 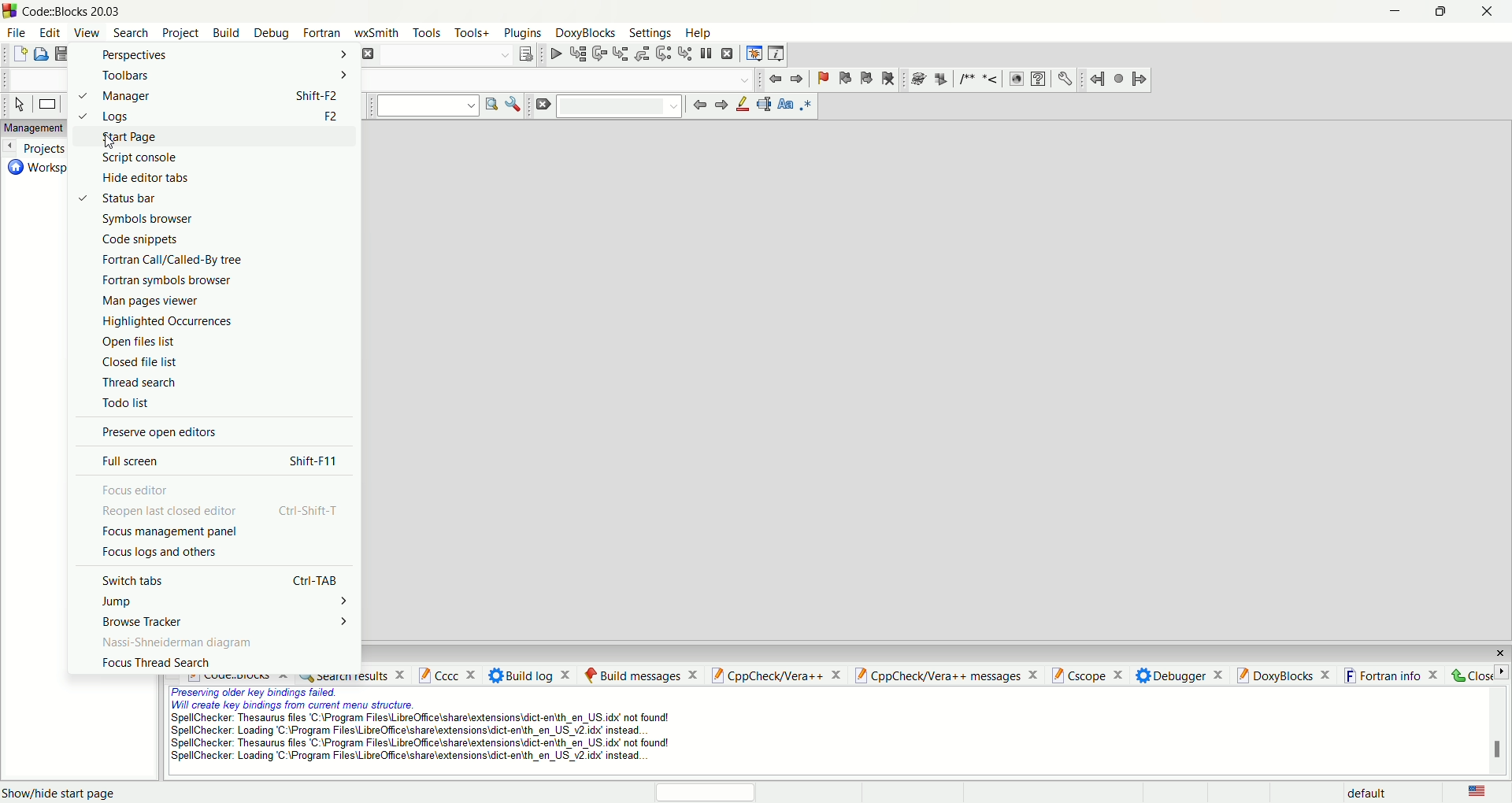 What do you see at coordinates (721, 105) in the screenshot?
I see `next` at bounding box center [721, 105].